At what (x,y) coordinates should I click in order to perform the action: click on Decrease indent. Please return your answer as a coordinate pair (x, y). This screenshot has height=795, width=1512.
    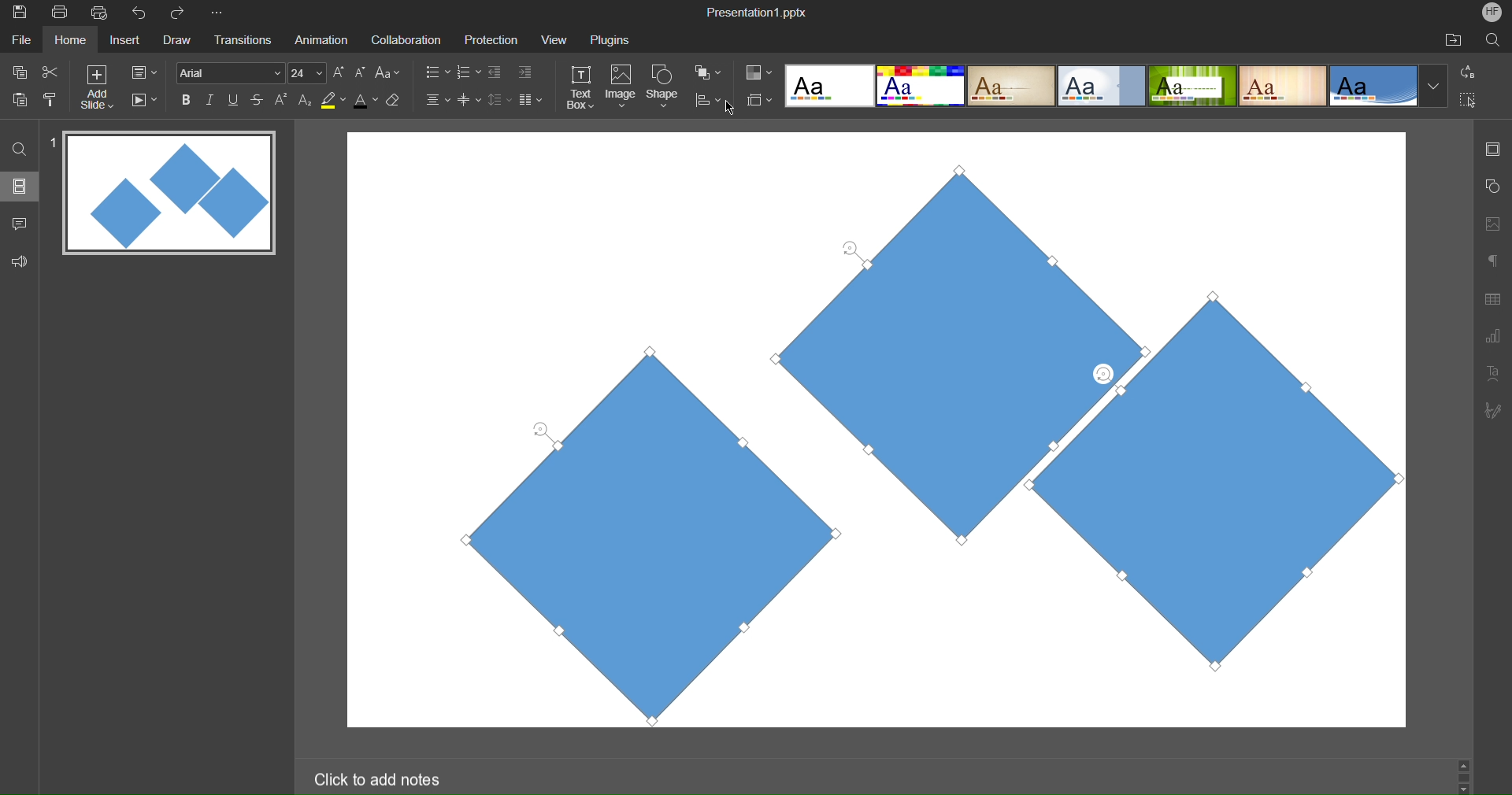
    Looking at the image, I should click on (498, 74).